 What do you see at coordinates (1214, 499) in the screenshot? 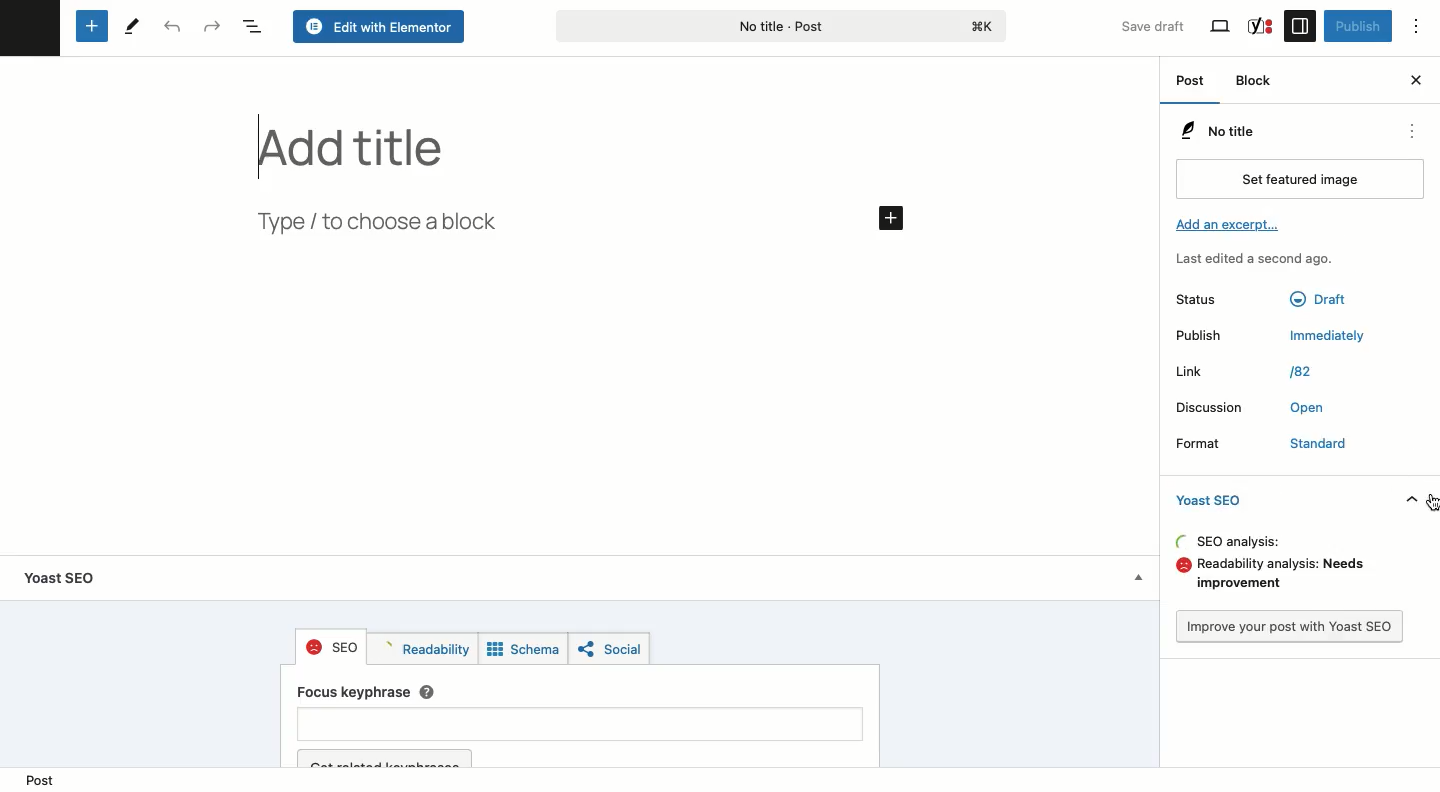
I see `Yoast SEO` at bounding box center [1214, 499].